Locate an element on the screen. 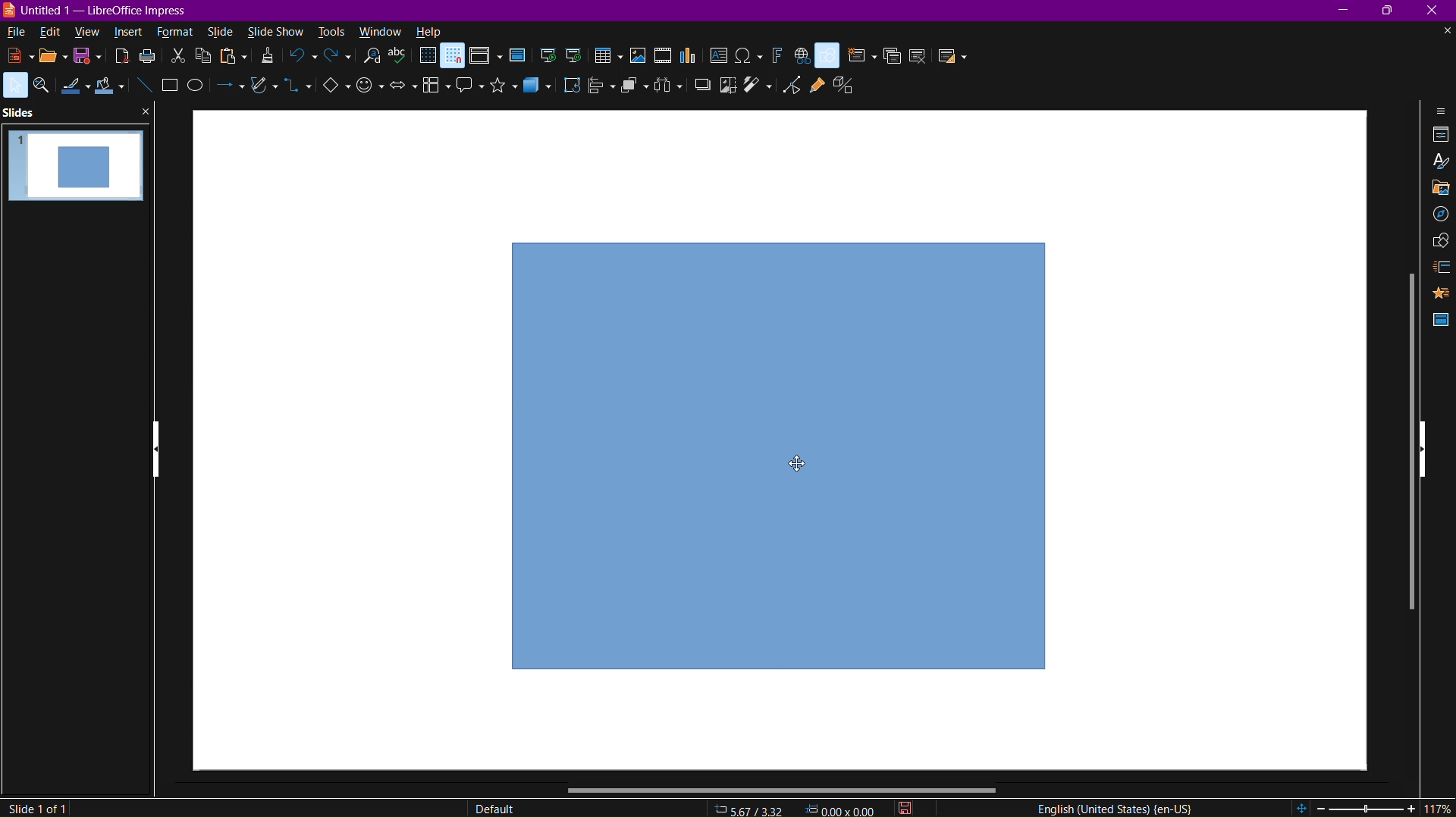 This screenshot has width=1456, height=817. Maximize is located at coordinates (1393, 11).